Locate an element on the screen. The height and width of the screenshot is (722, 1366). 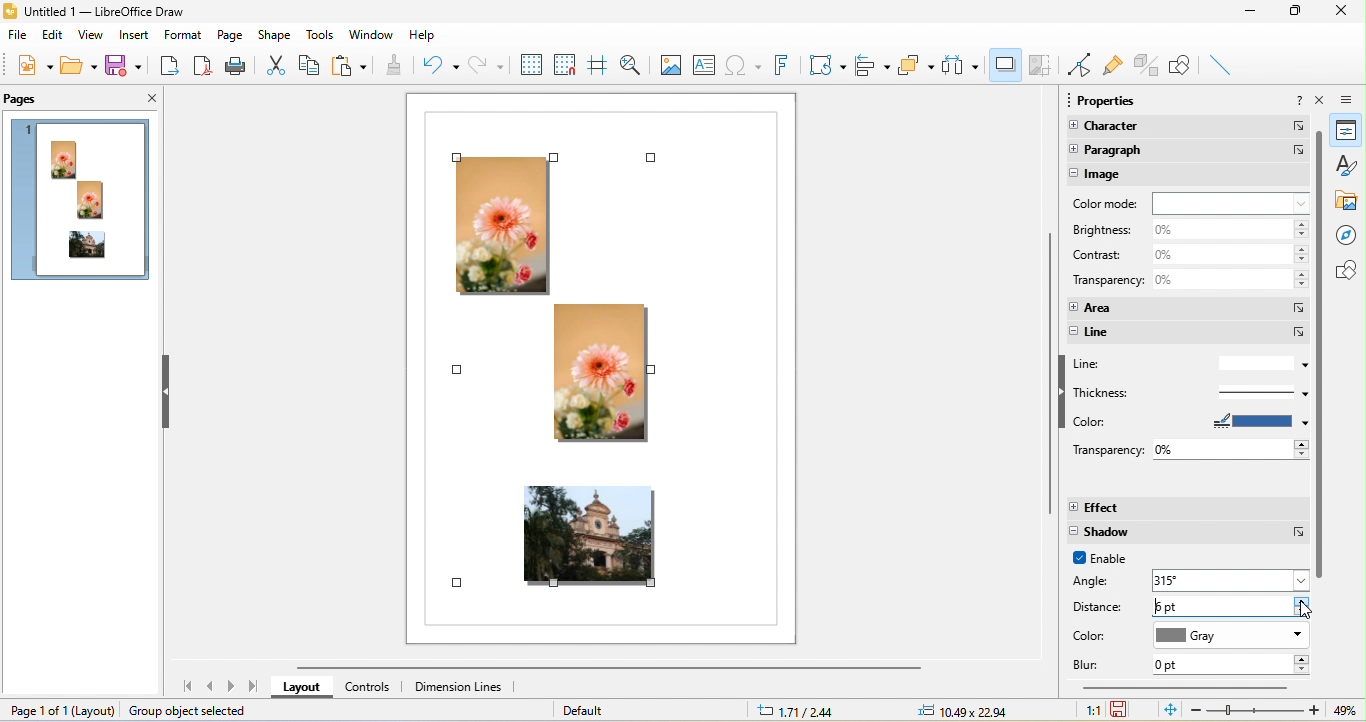
angle is located at coordinates (1102, 582).